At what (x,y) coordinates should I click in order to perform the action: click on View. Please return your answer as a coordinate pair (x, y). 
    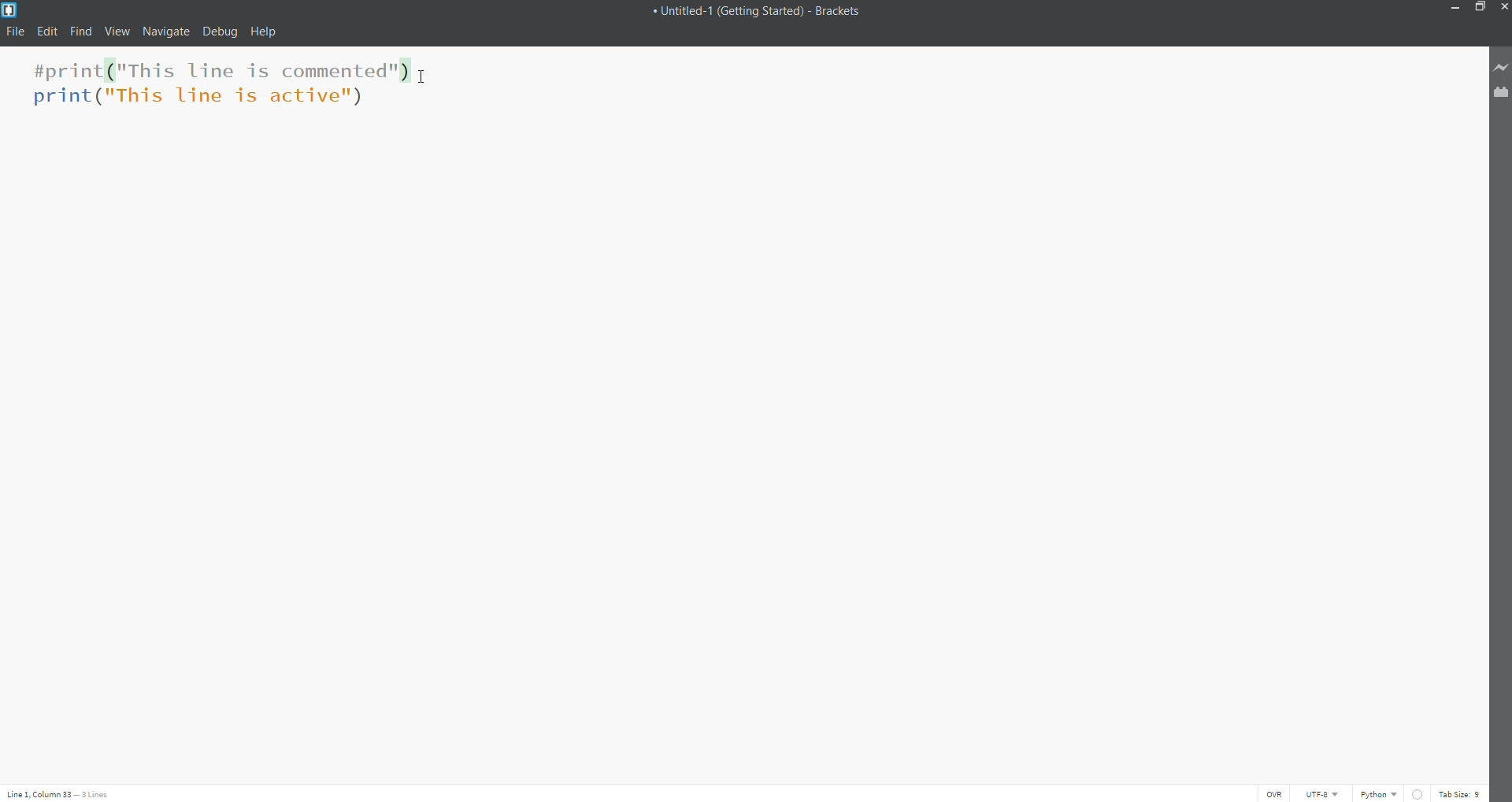
    Looking at the image, I should click on (116, 32).